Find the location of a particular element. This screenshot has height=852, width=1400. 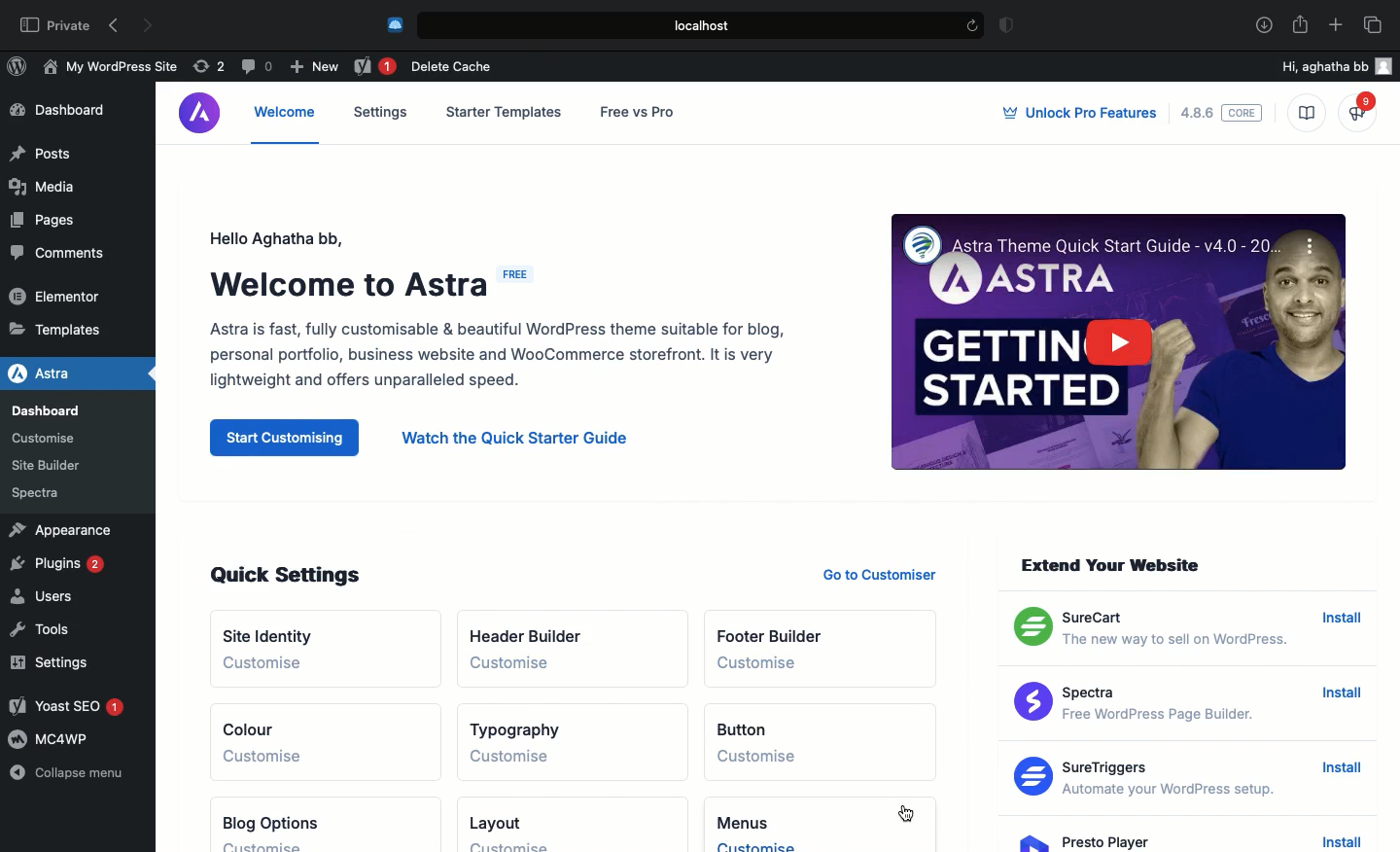

Customise is located at coordinates (753, 757).